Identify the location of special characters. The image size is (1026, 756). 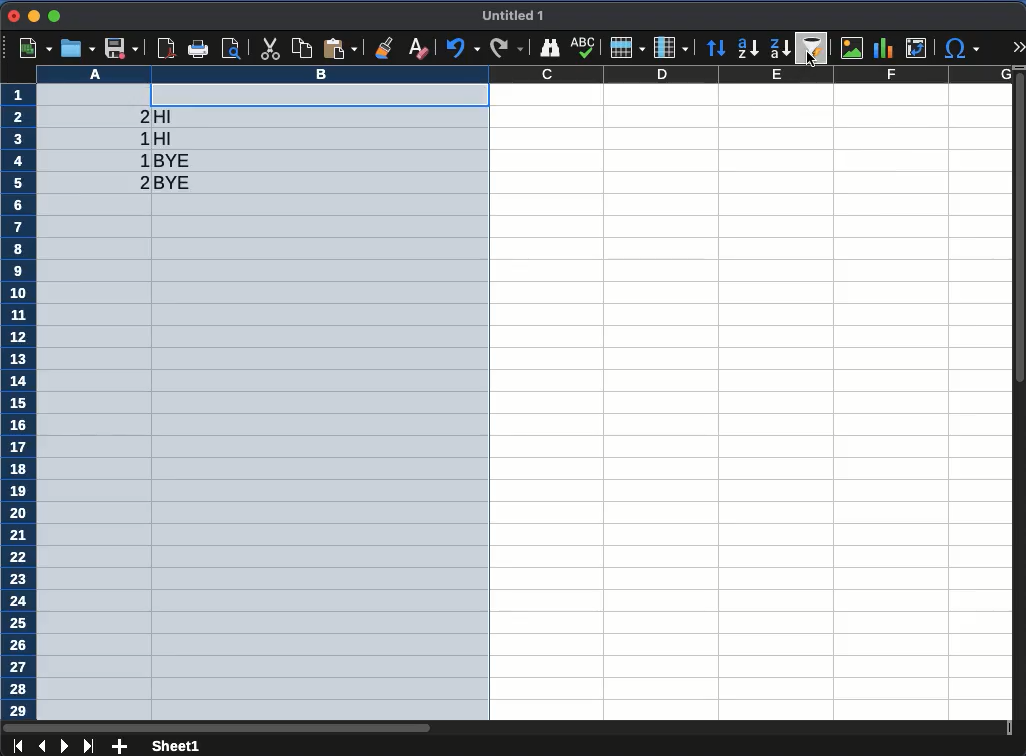
(961, 48).